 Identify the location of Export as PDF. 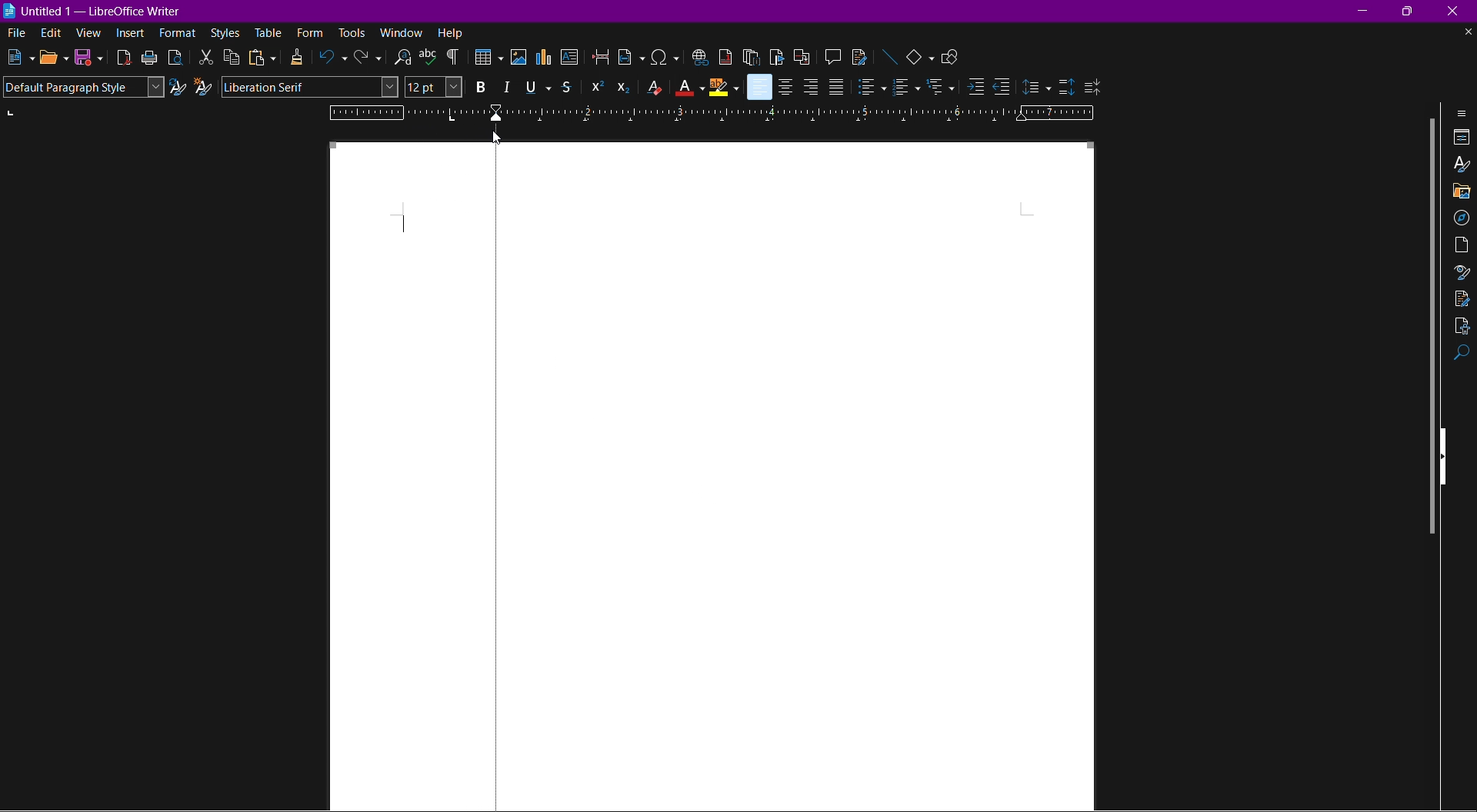
(124, 58).